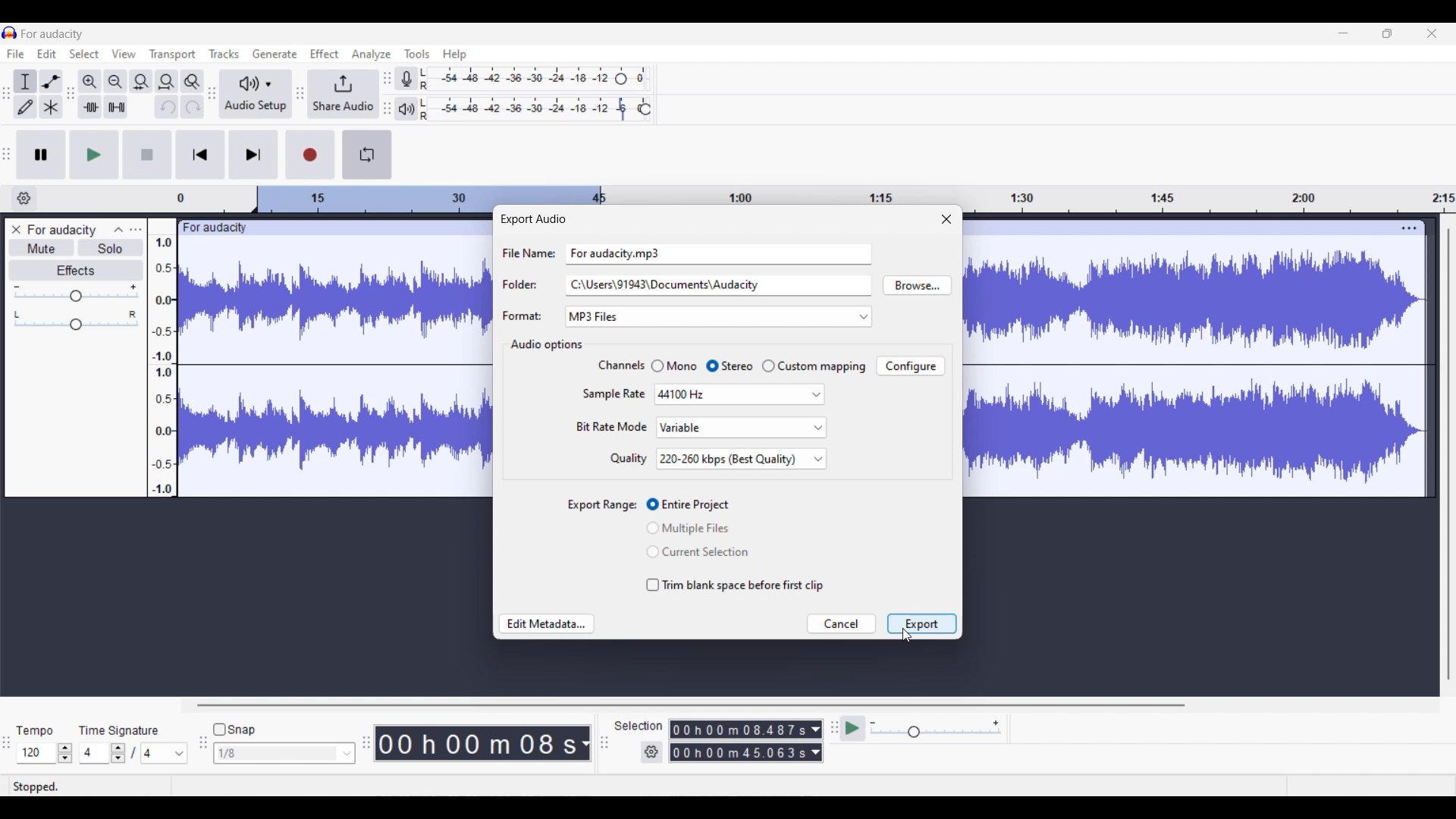  I want to click on Track name - For audacity, so click(63, 230).